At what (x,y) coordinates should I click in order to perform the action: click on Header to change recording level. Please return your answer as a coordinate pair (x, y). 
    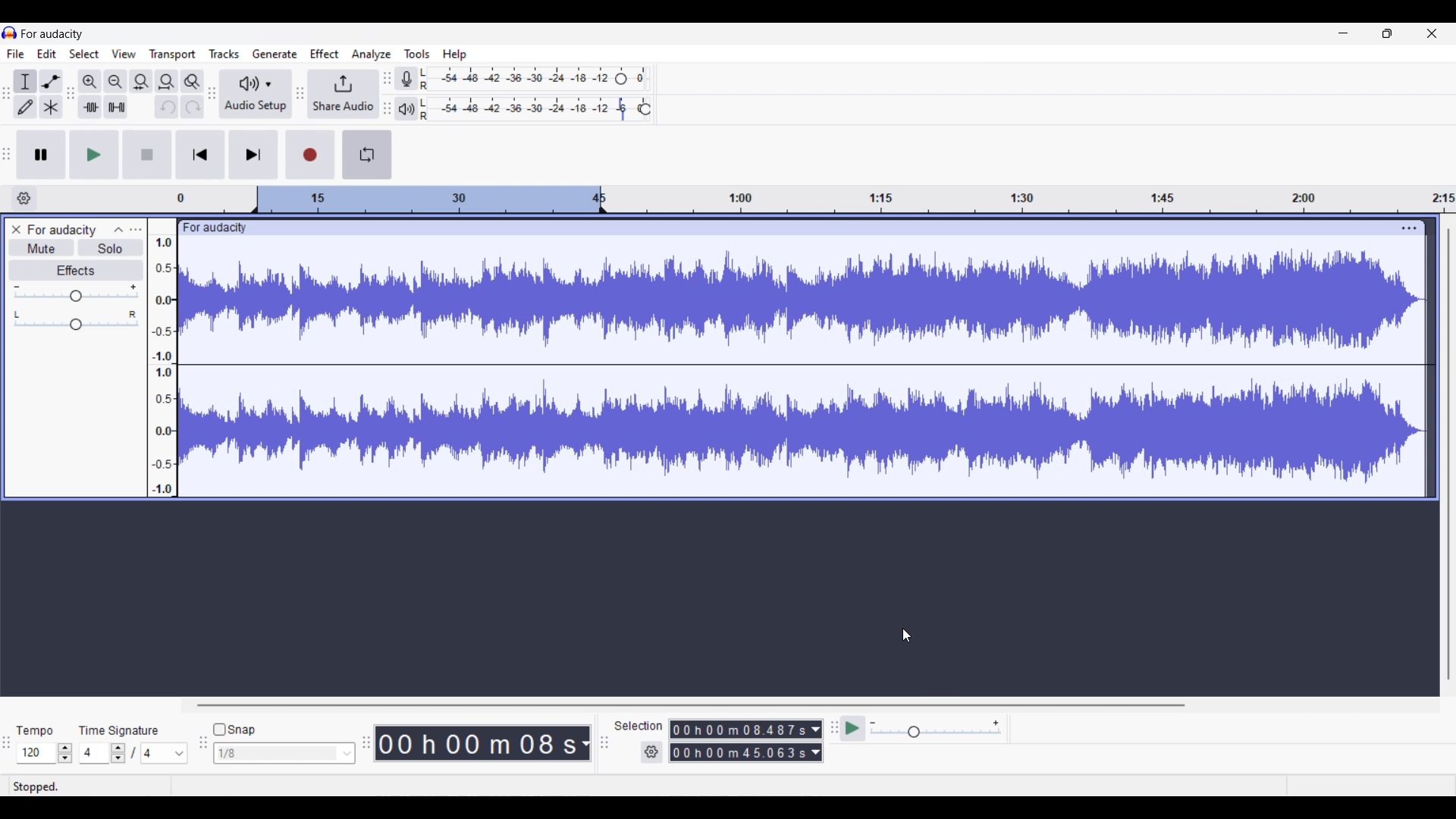
    Looking at the image, I should click on (621, 79).